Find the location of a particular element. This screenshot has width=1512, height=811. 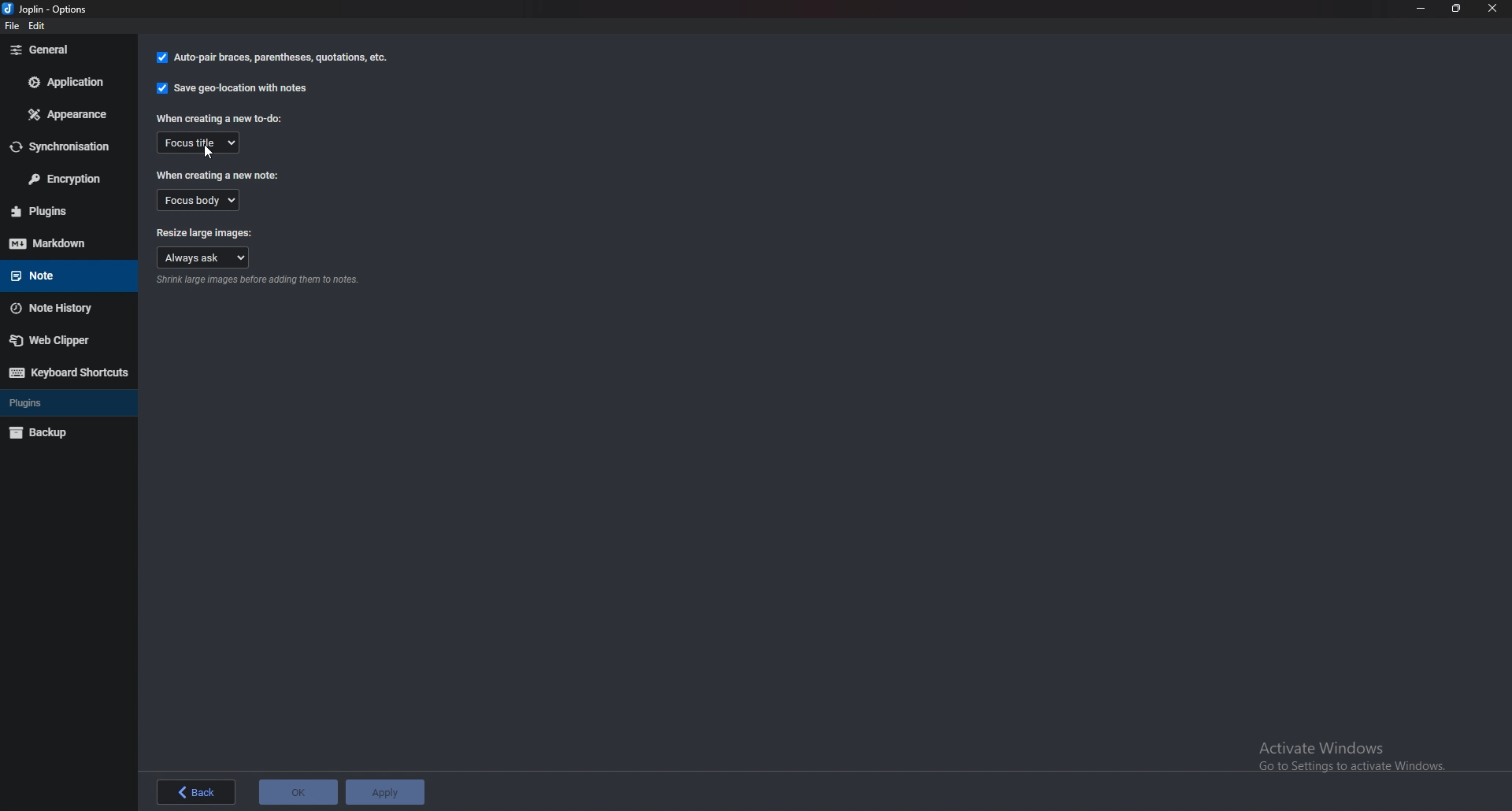

applu is located at coordinates (384, 791).